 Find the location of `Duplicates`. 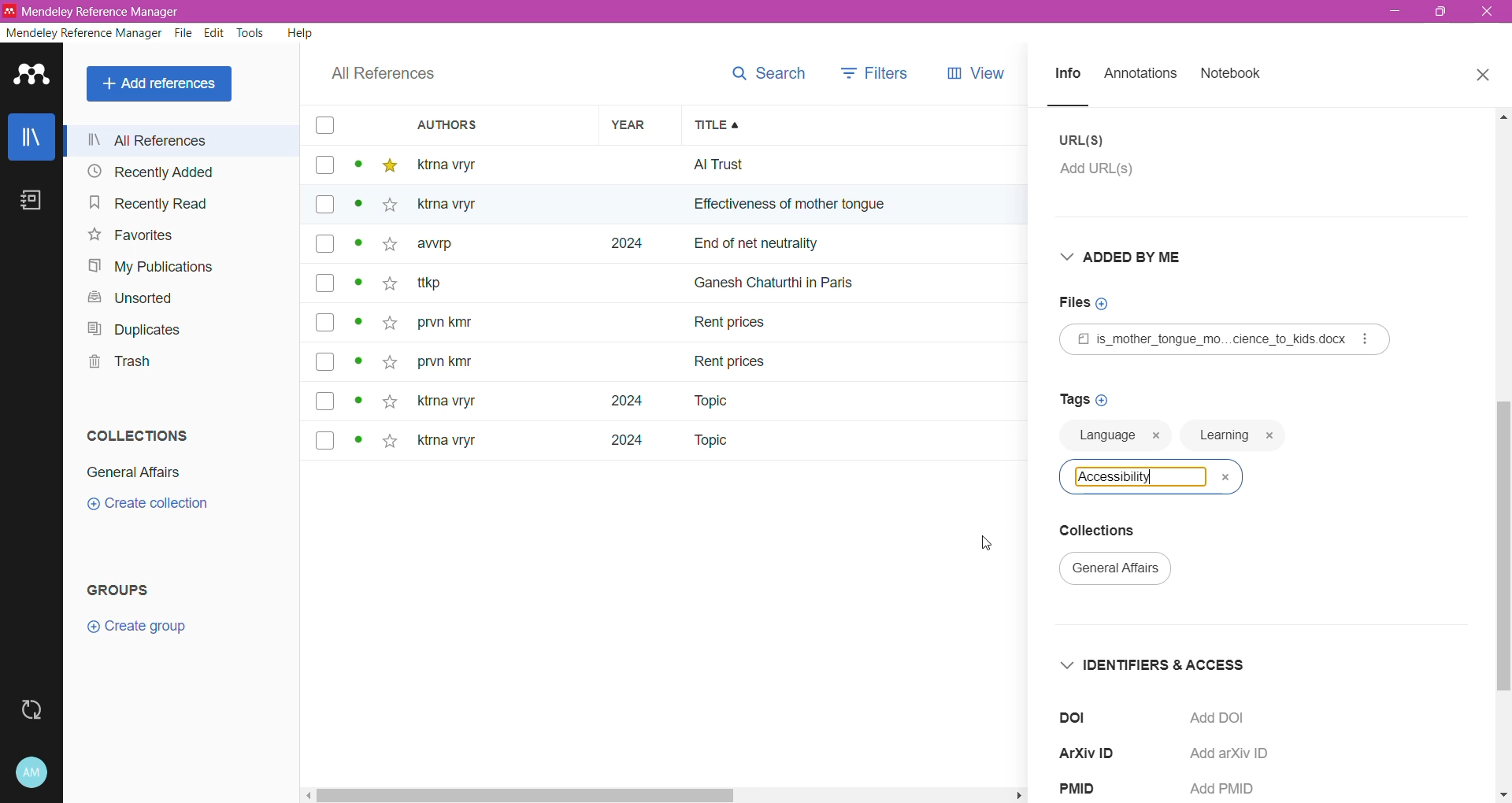

Duplicates is located at coordinates (135, 329).